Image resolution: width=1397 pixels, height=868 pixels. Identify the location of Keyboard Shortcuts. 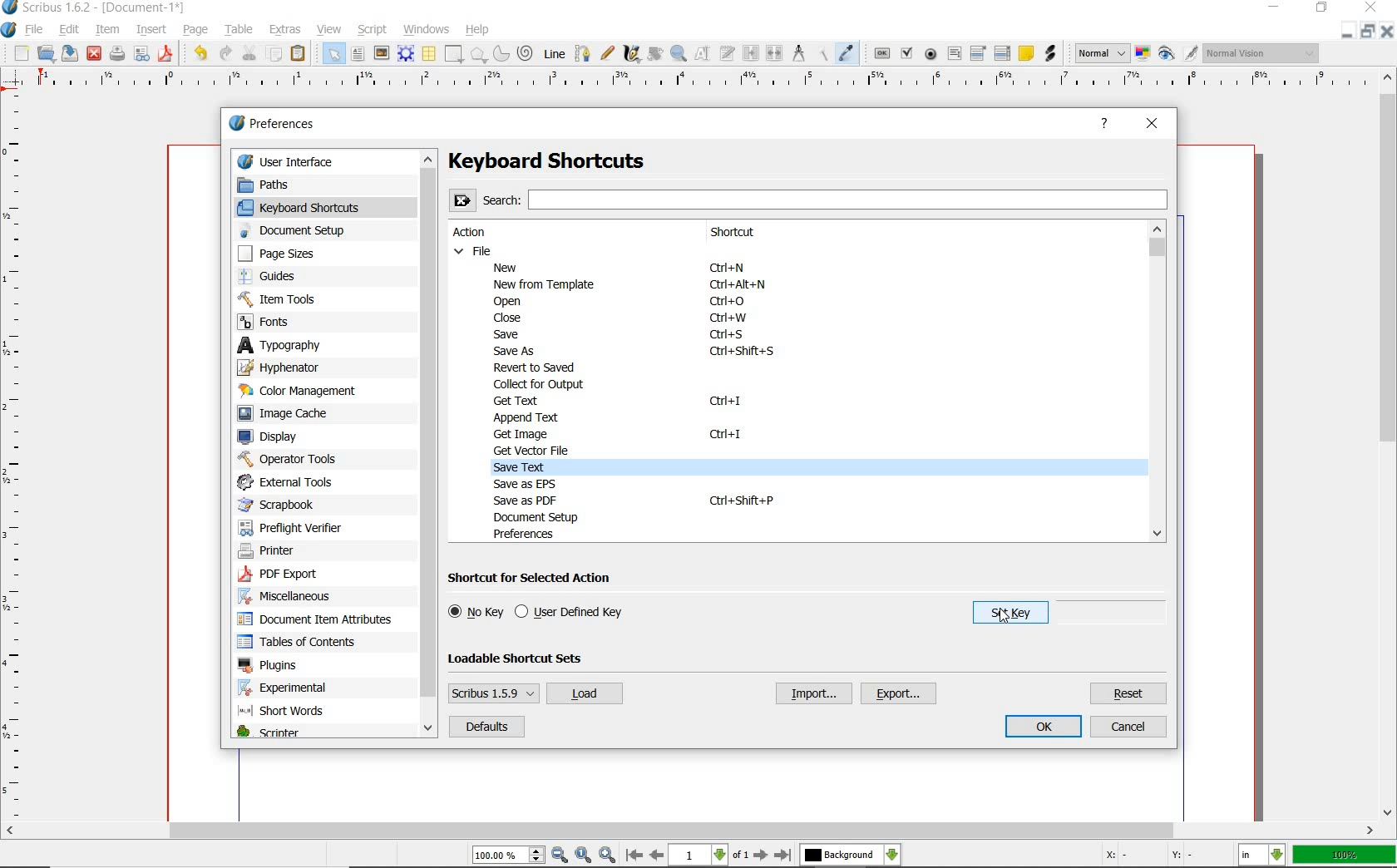
(580, 161).